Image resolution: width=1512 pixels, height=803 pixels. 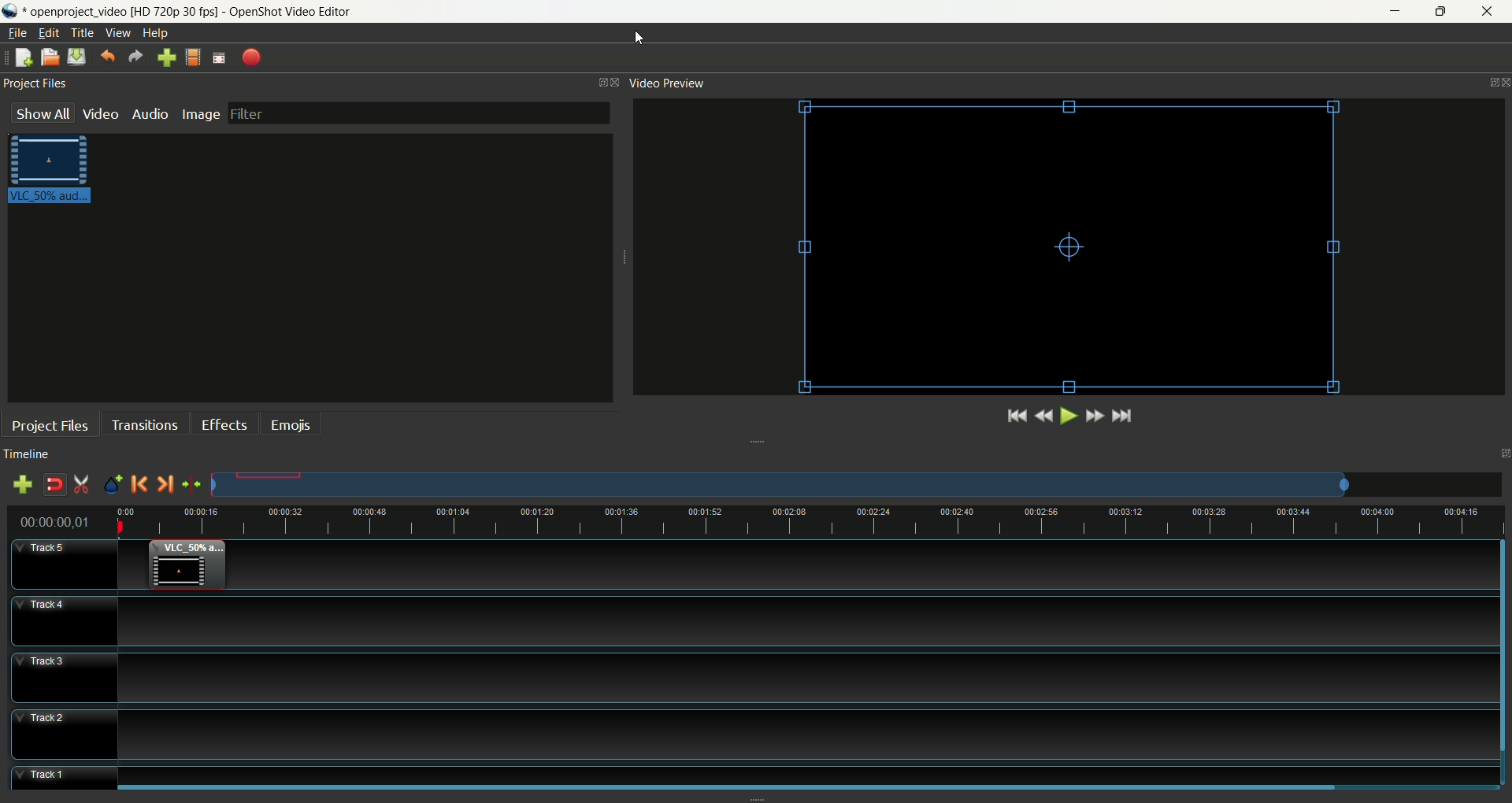 What do you see at coordinates (810, 523) in the screenshot?
I see `Timeline` at bounding box center [810, 523].